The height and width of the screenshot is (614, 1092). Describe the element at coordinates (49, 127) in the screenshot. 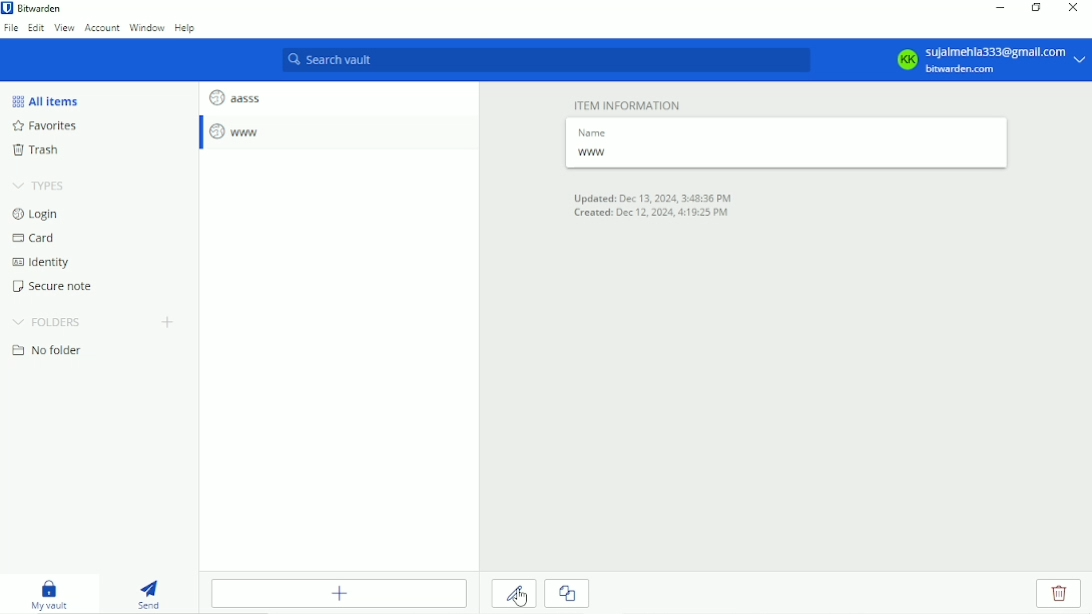

I see `Favorites` at that location.